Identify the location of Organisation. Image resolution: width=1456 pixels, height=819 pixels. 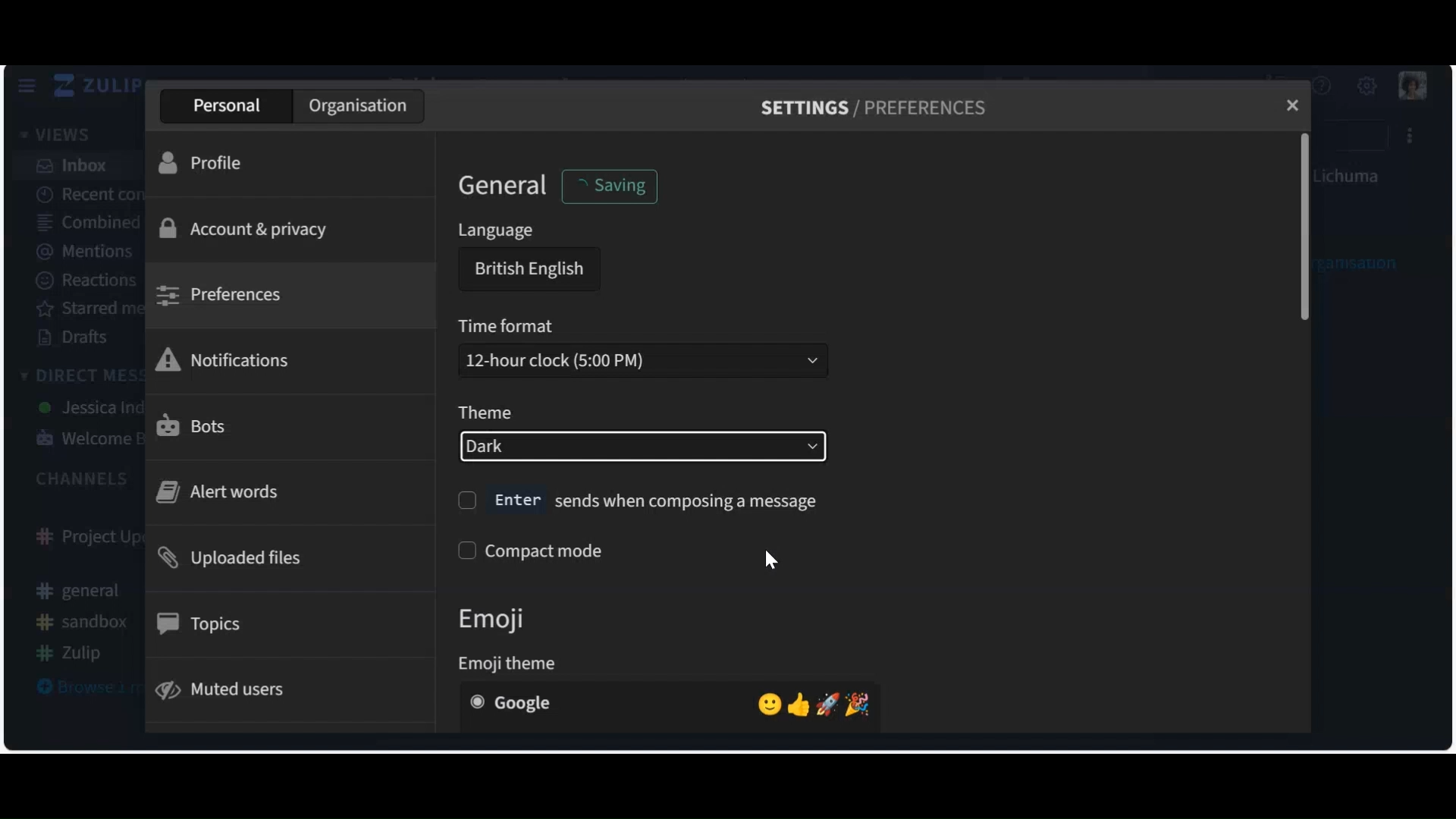
(361, 107).